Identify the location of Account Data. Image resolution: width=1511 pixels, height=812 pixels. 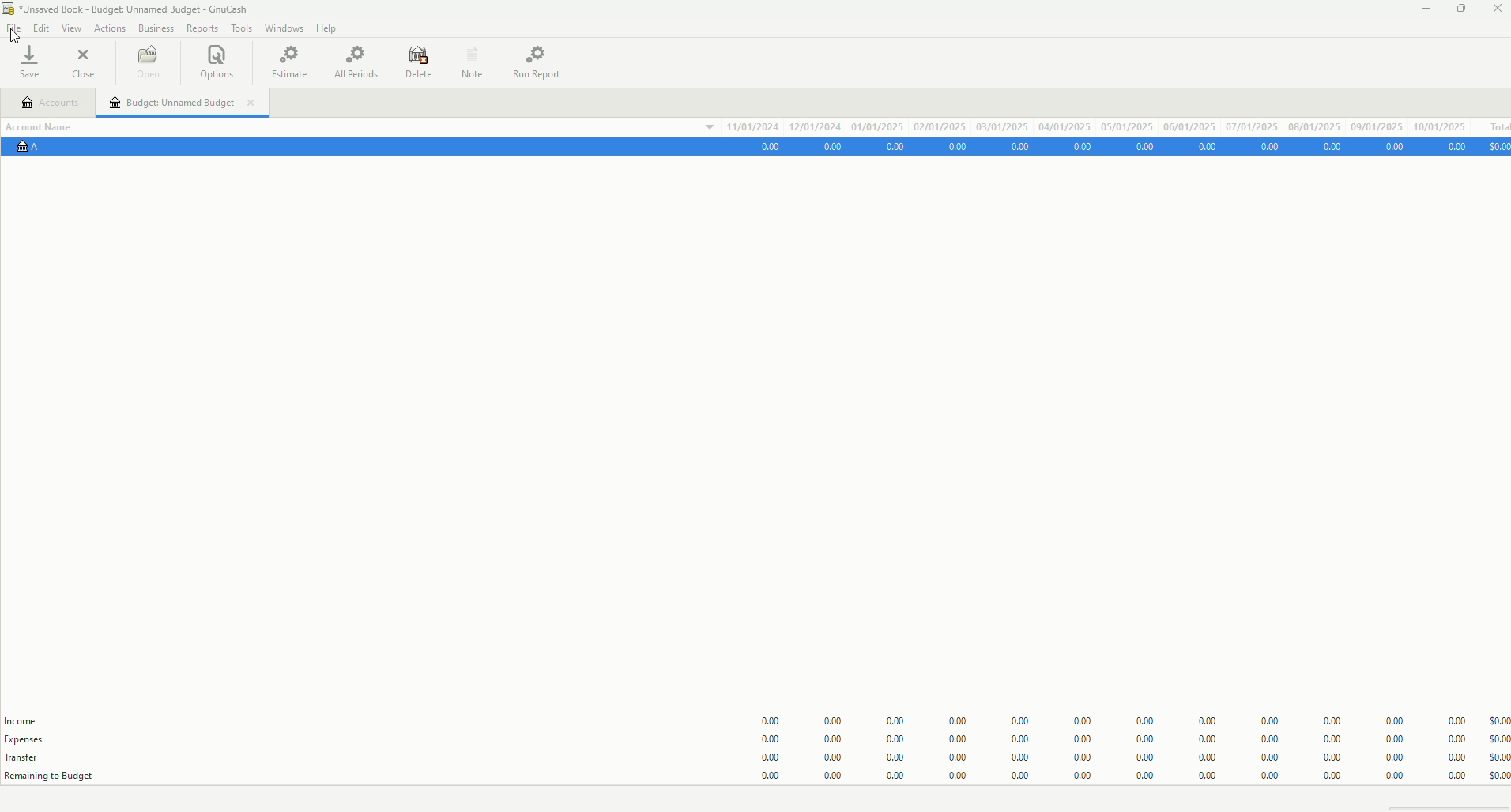
(1131, 147).